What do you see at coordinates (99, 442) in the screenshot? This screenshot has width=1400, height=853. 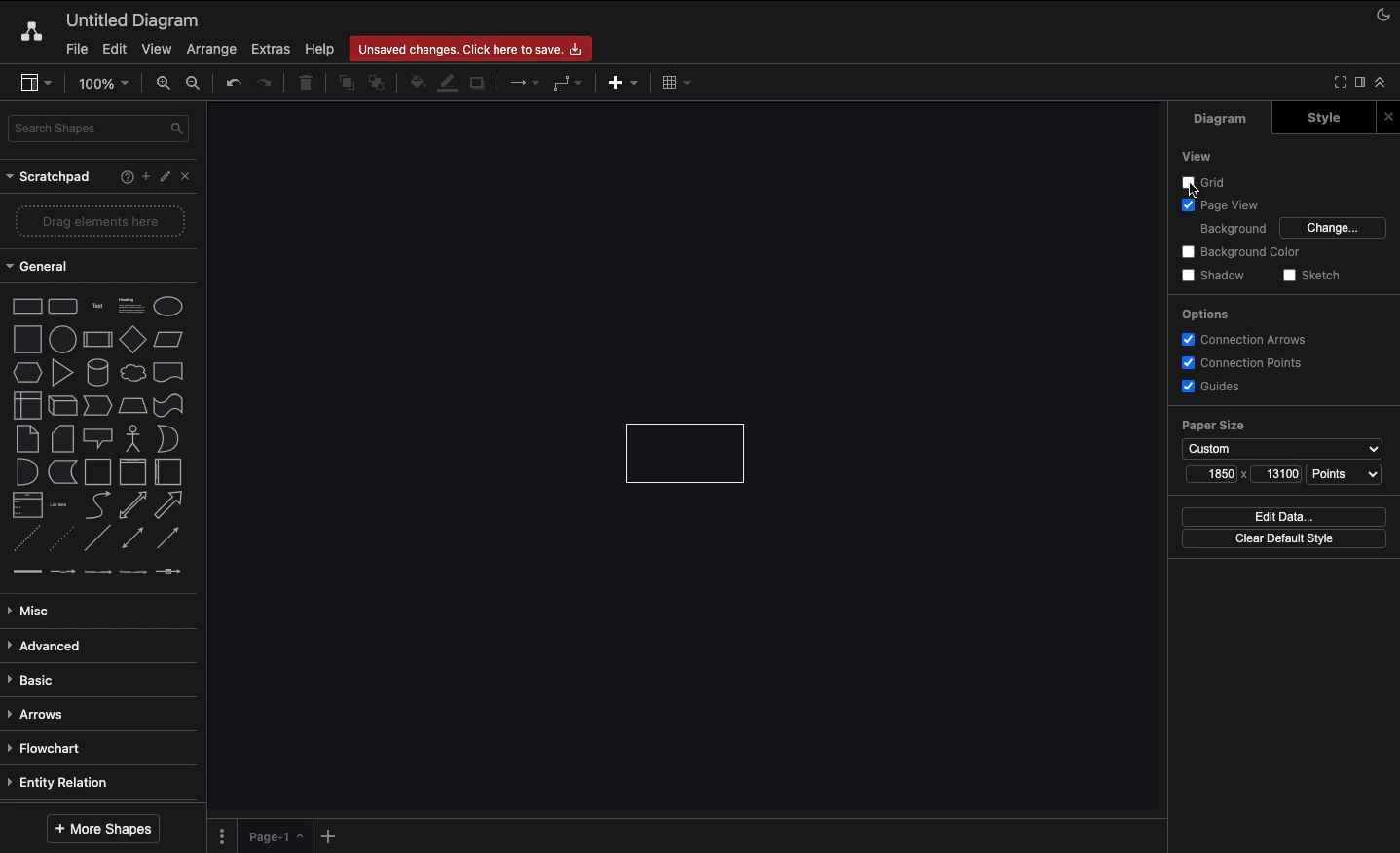 I see `Shapes` at bounding box center [99, 442].